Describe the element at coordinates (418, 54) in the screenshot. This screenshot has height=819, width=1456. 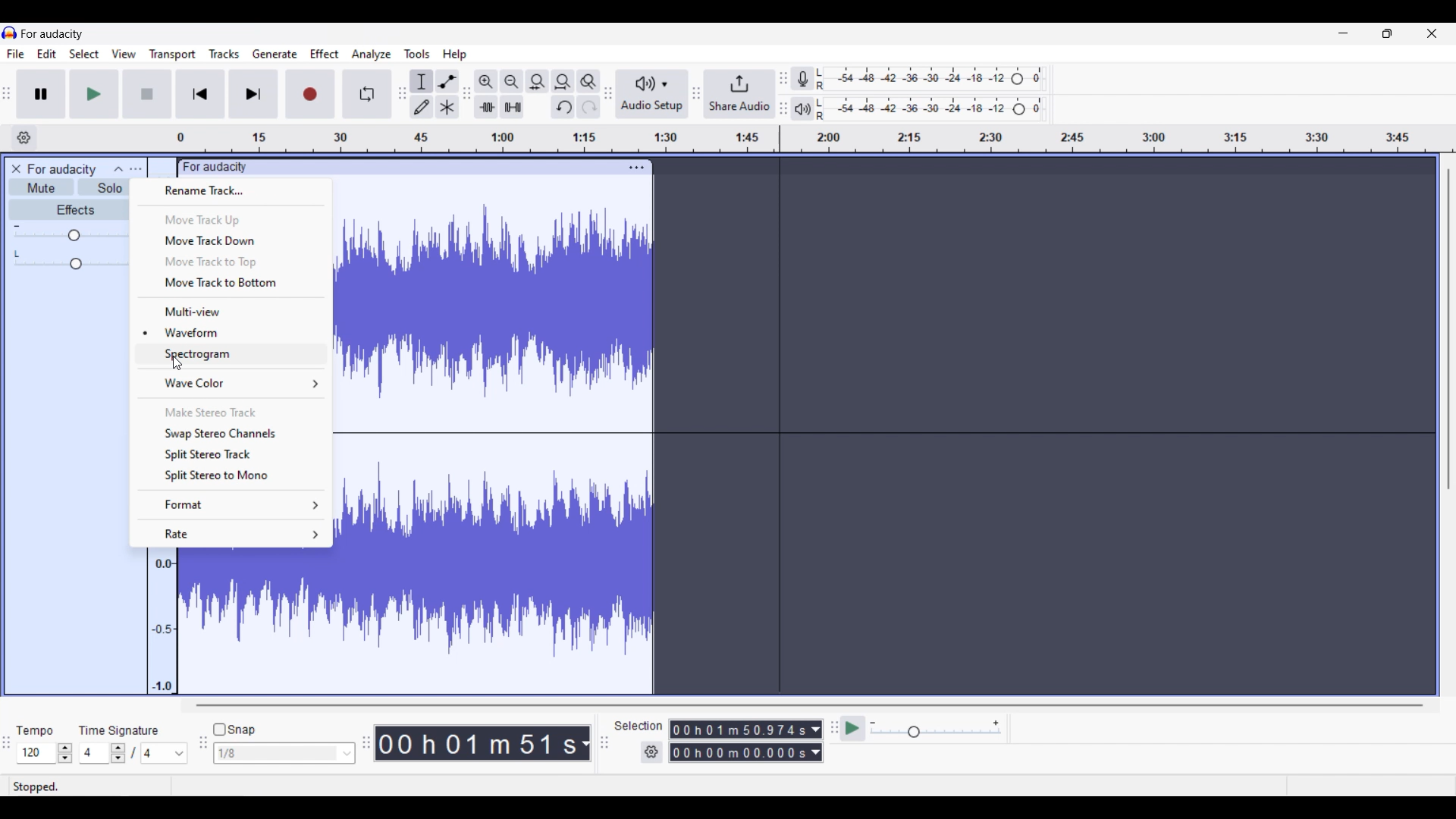
I see `Tools menu` at that location.